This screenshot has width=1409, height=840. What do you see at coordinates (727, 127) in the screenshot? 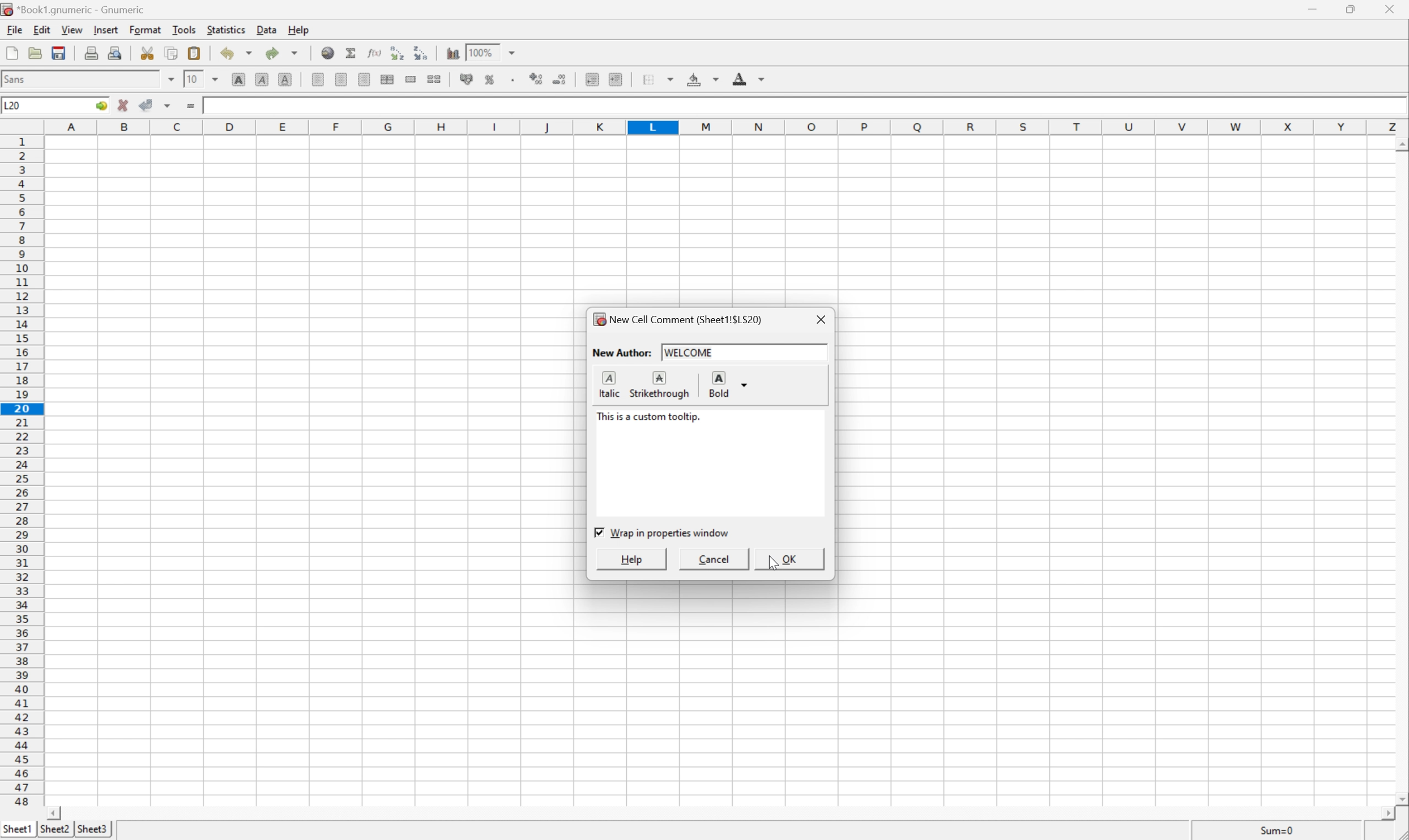
I see `Column names` at bounding box center [727, 127].